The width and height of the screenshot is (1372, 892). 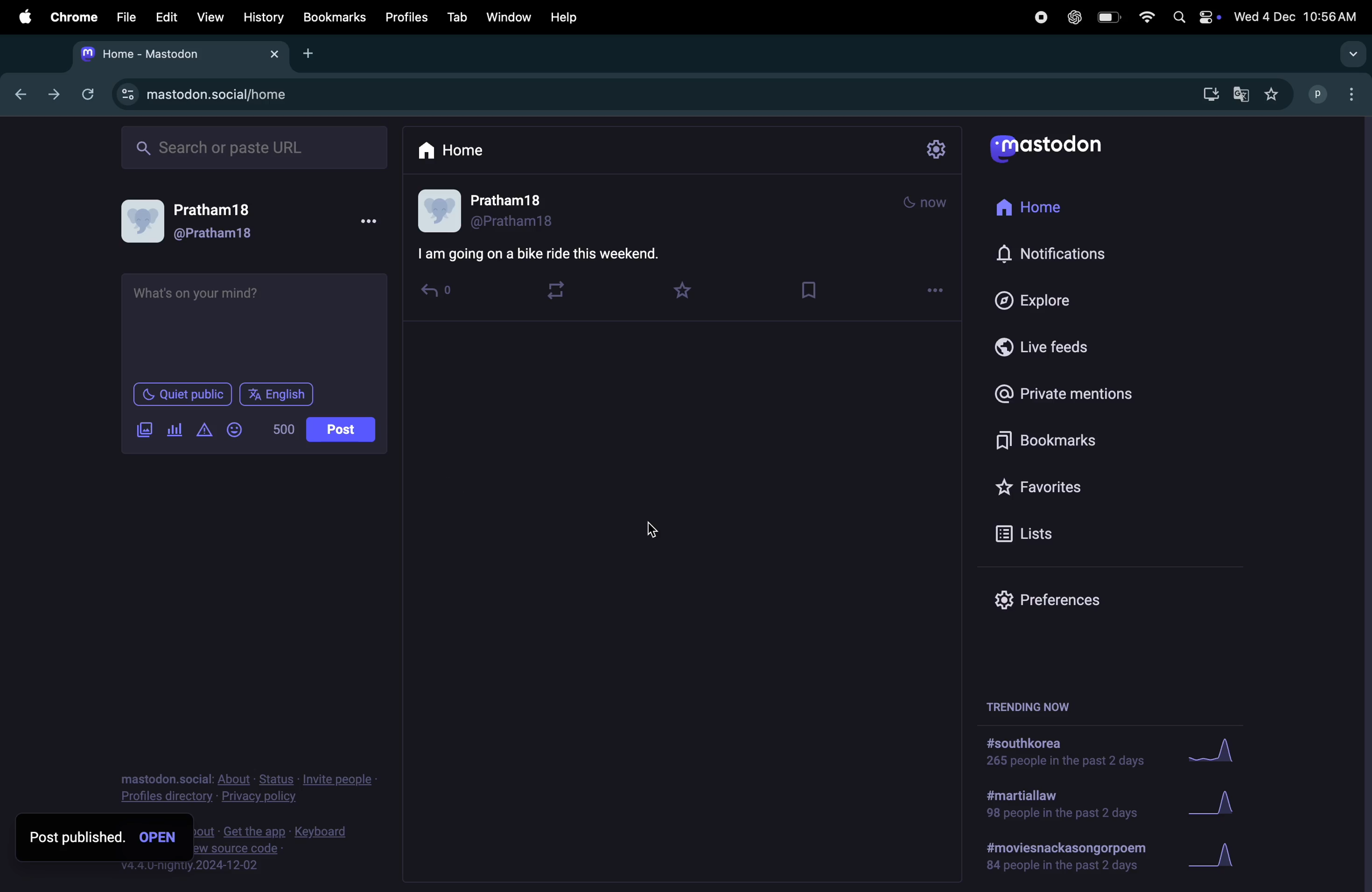 I want to click on Post, so click(x=342, y=428).